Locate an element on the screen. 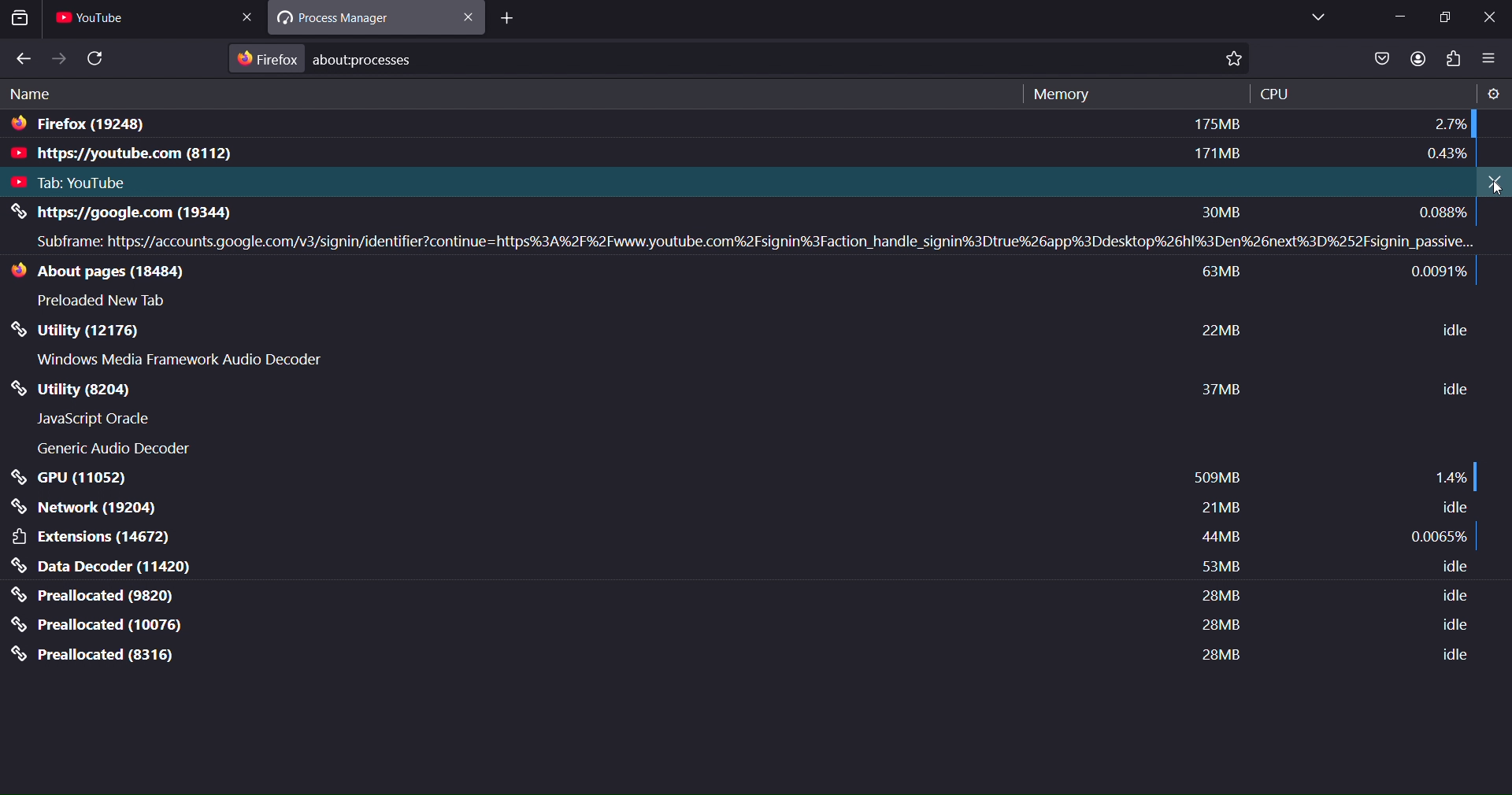  cursor is located at coordinates (1498, 193).